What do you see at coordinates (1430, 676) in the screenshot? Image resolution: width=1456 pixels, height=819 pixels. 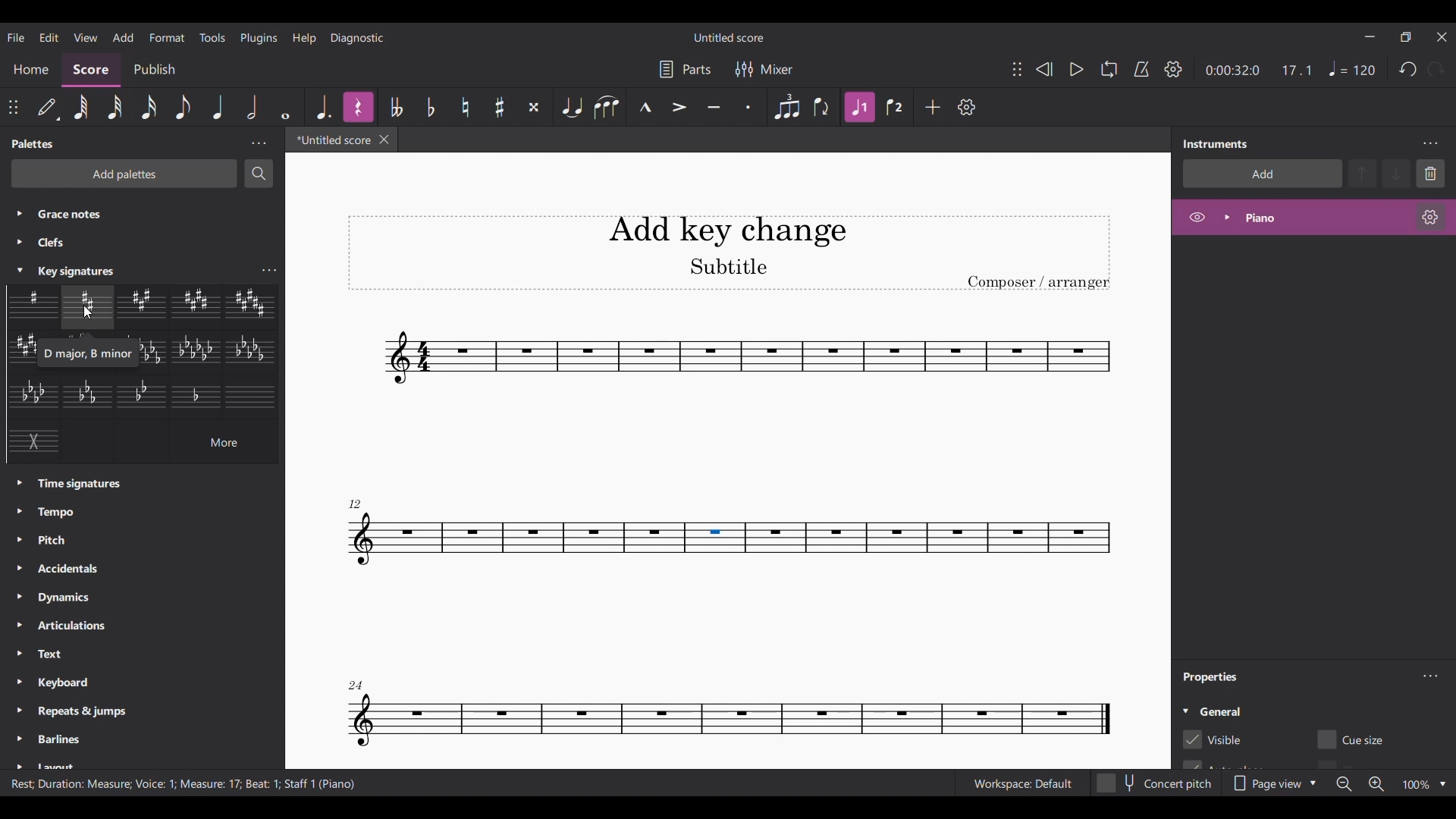 I see `Properties settings` at bounding box center [1430, 676].